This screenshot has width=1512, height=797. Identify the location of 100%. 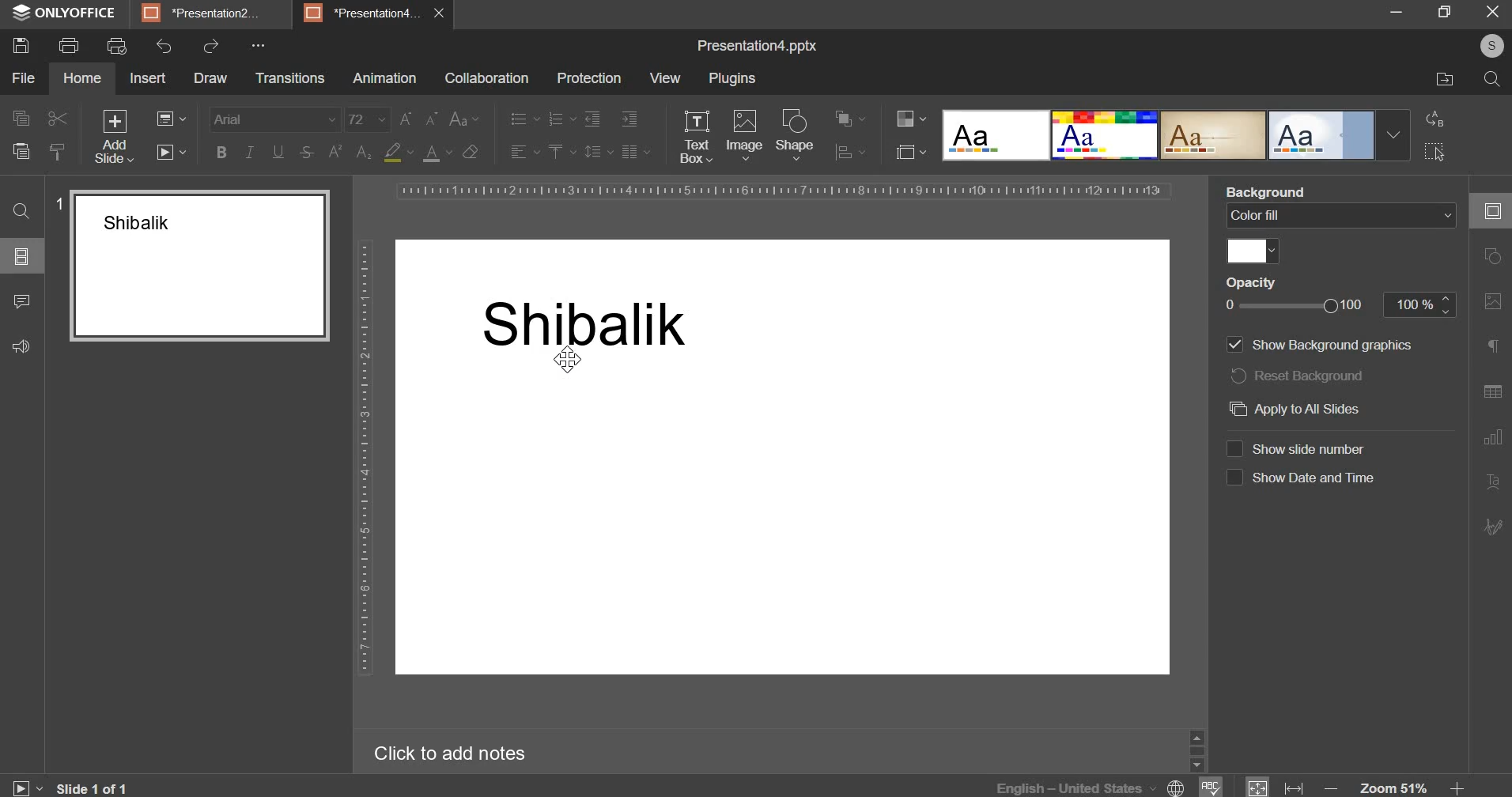
(1339, 306).